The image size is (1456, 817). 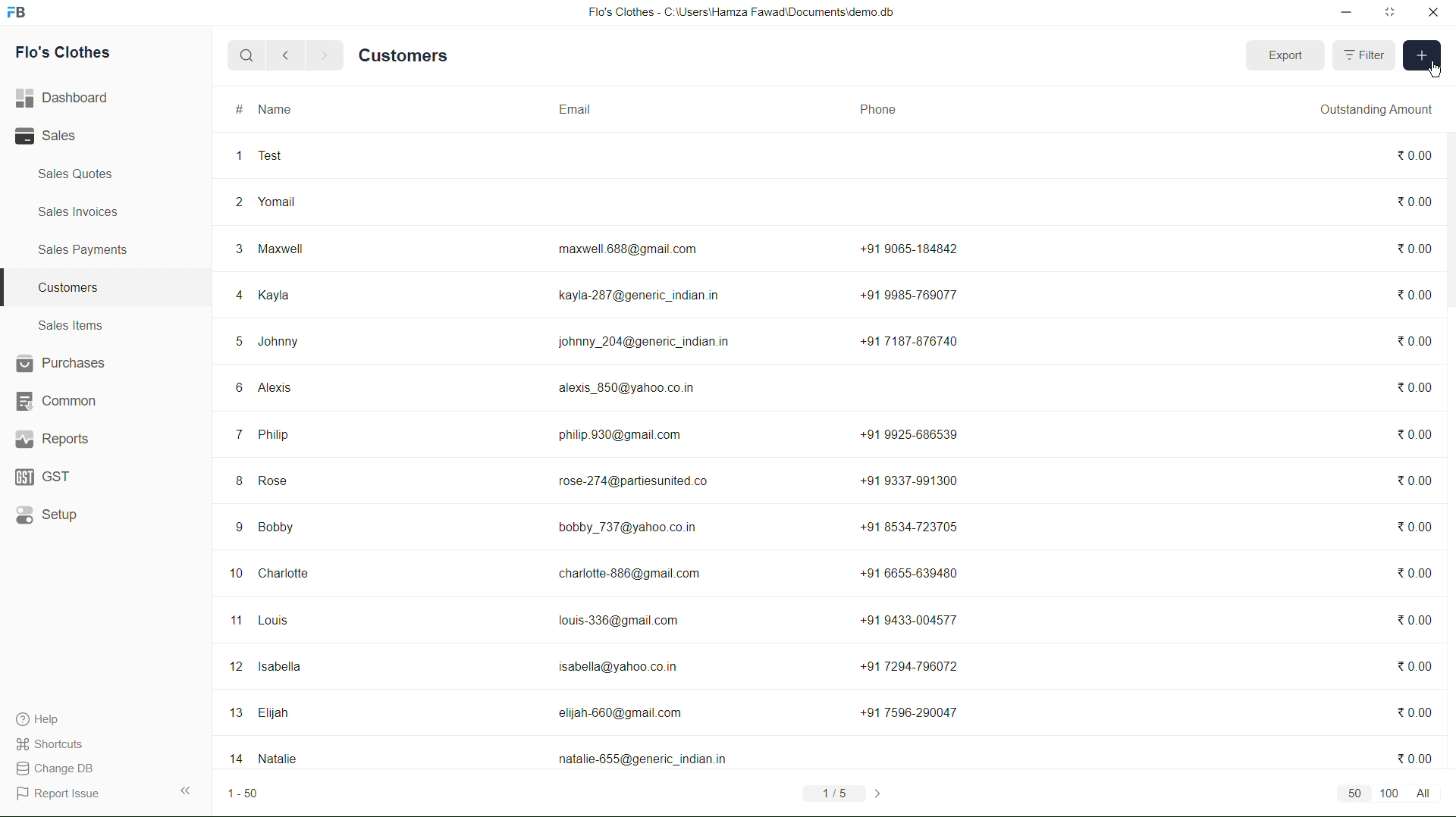 What do you see at coordinates (83, 211) in the screenshot?
I see `Sales Invoices` at bounding box center [83, 211].